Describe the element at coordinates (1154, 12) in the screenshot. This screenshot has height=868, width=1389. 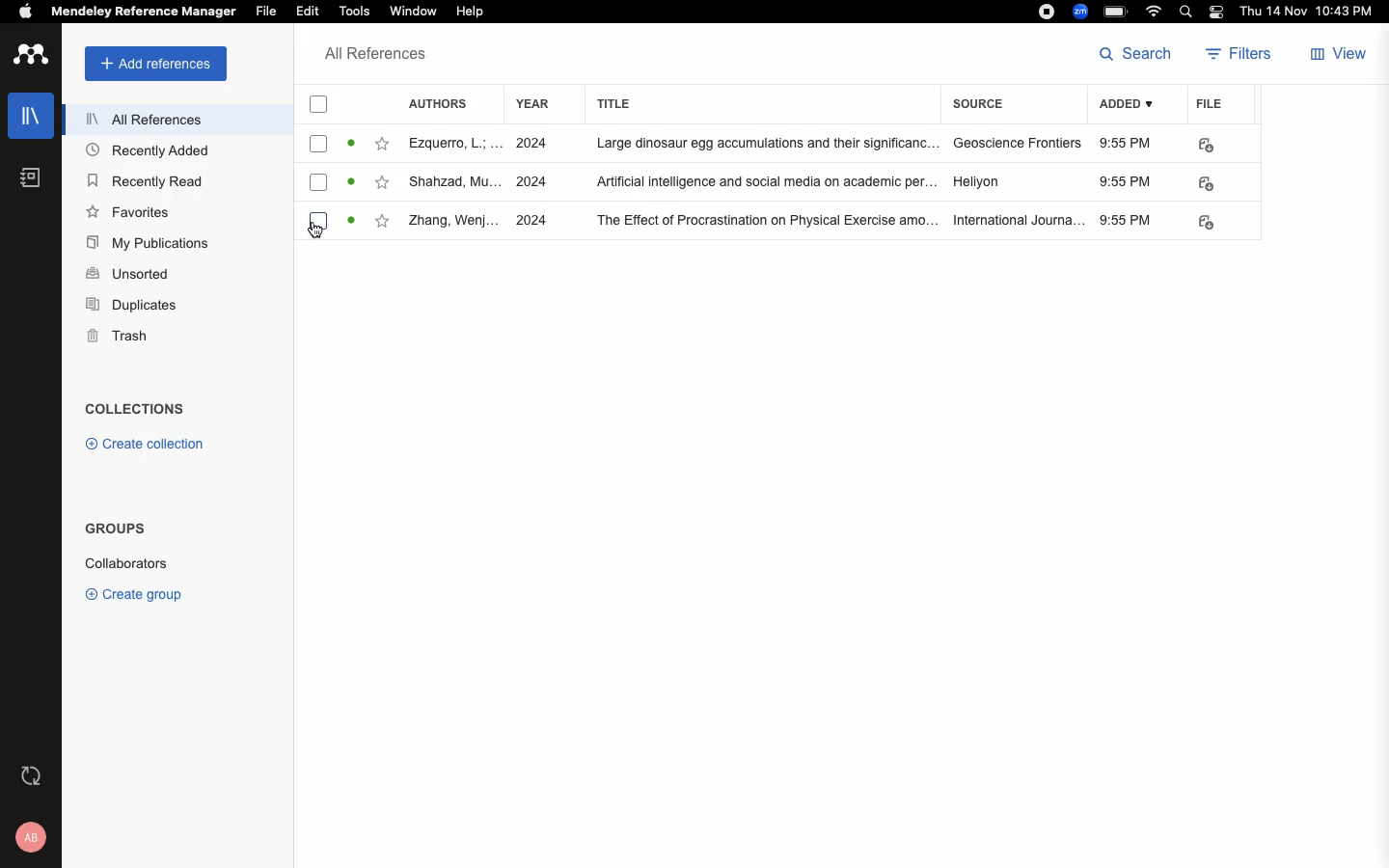
I see `Internet` at that location.